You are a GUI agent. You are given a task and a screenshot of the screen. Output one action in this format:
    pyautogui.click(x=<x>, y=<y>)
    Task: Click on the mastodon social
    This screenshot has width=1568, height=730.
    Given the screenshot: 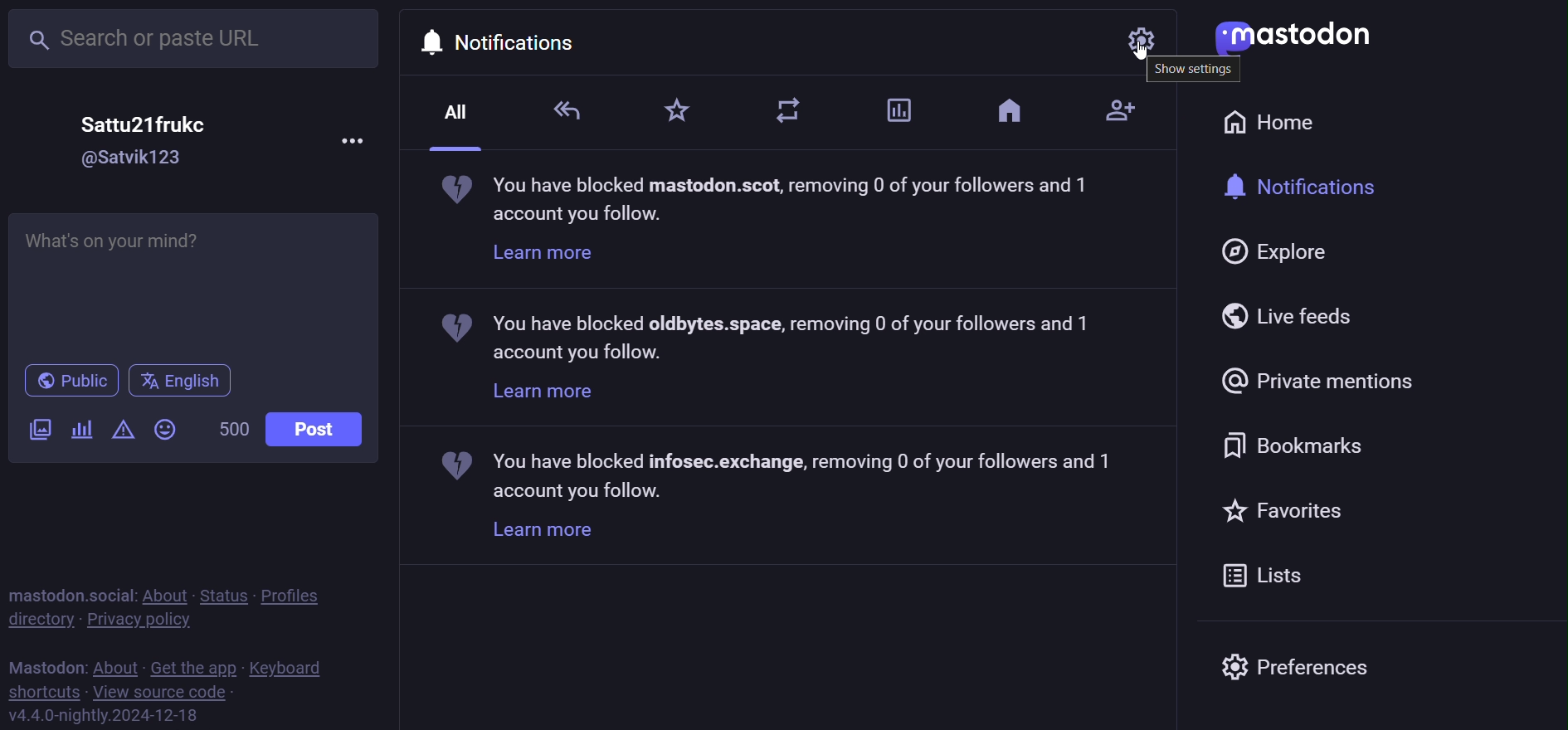 What is the action you would take?
    pyautogui.click(x=70, y=592)
    